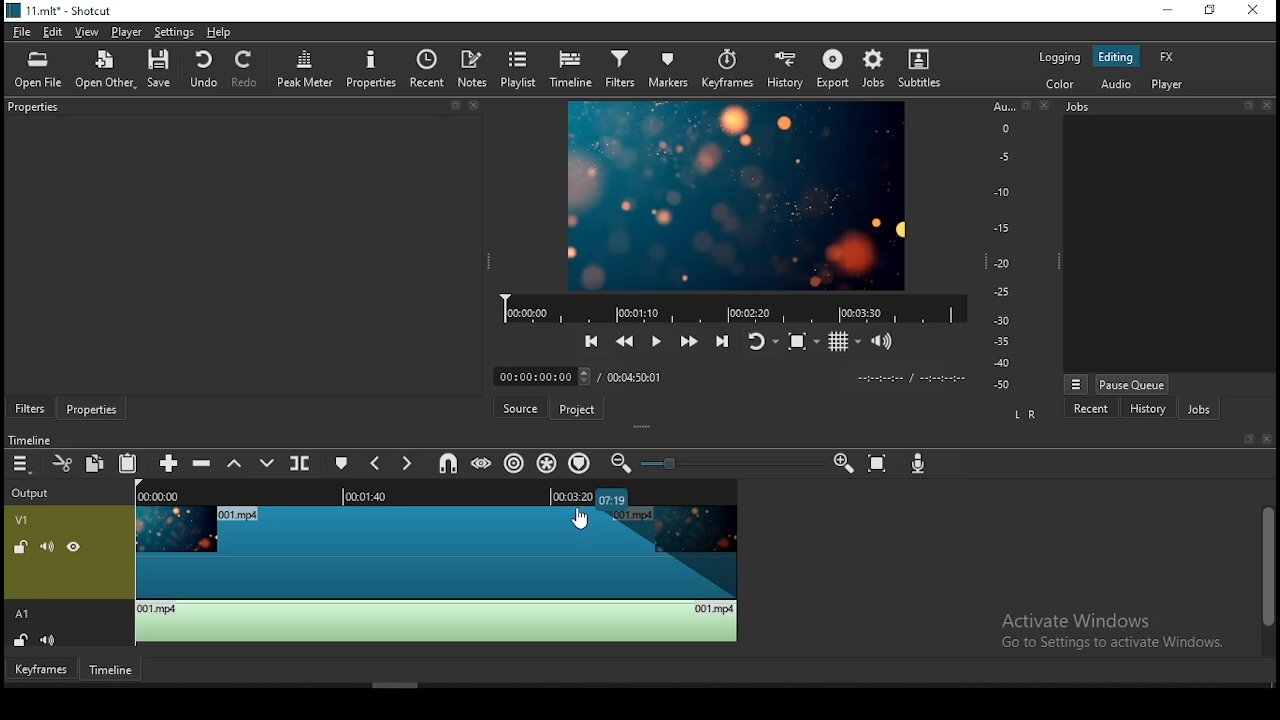  I want to click on video time, so click(170, 497).